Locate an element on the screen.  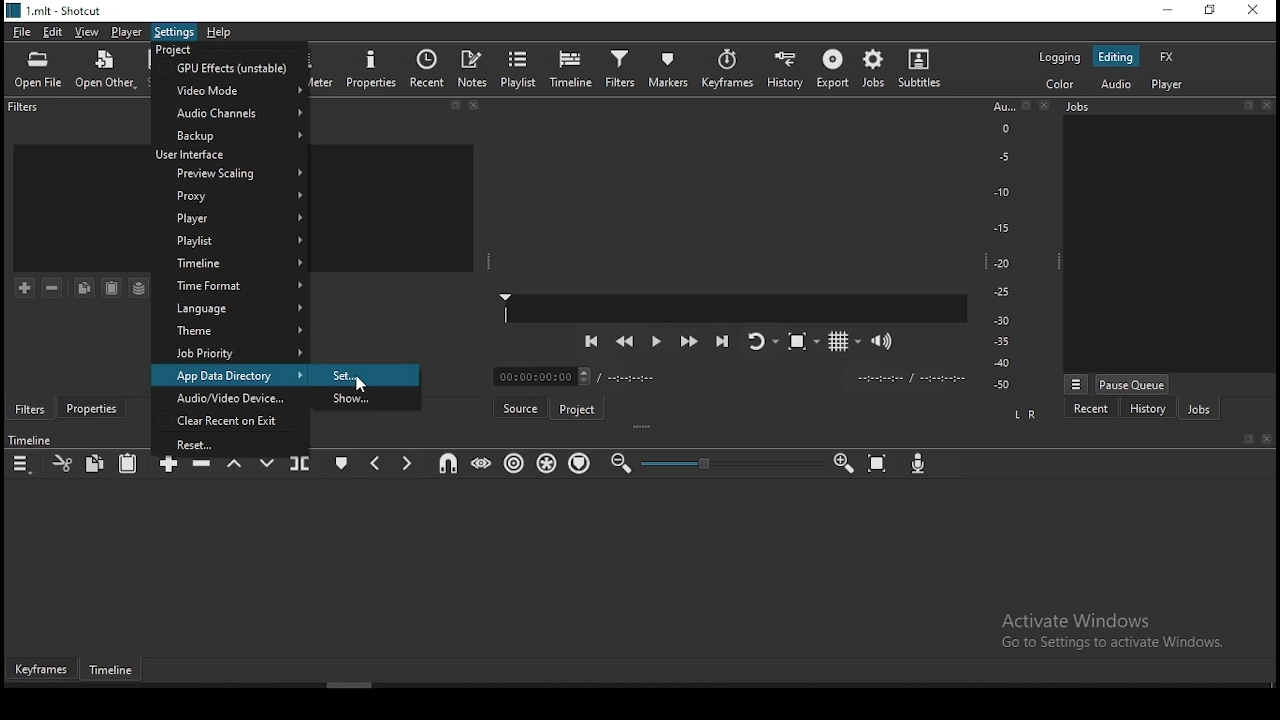
timeline is located at coordinates (571, 67).